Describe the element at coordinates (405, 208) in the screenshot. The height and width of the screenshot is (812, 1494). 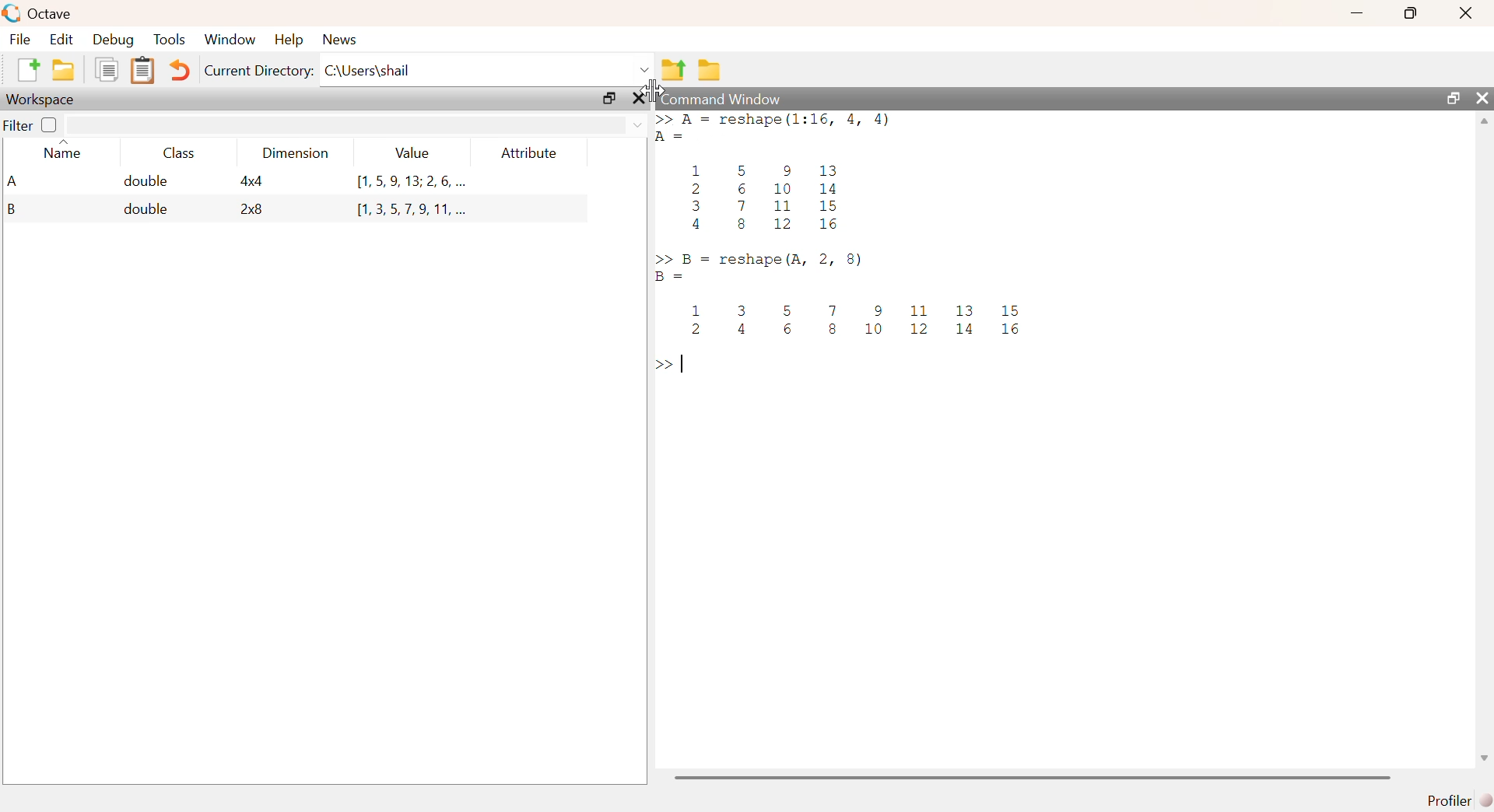
I see `1,3,5,7,9,11,..` at that location.